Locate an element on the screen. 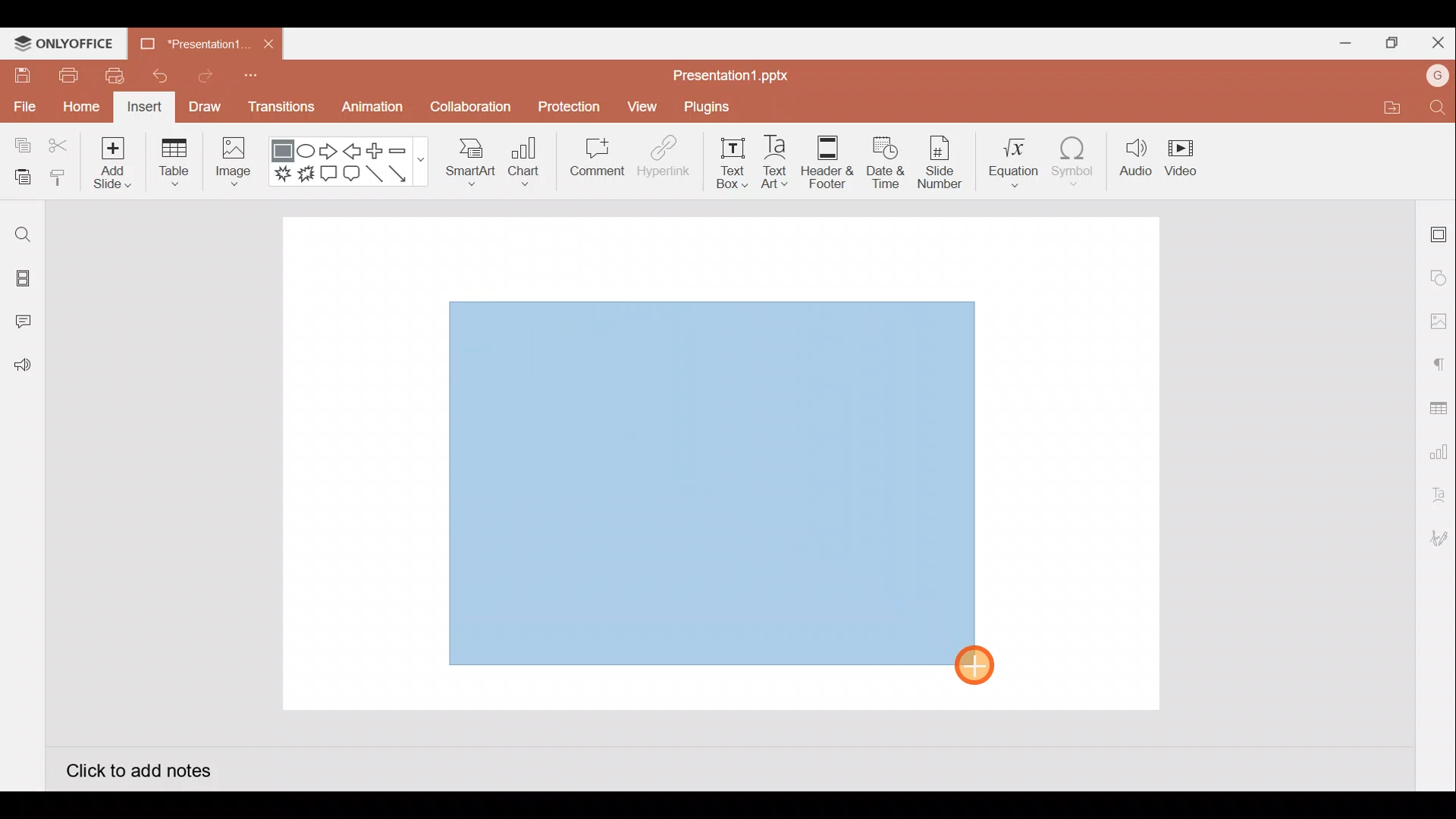  Draw is located at coordinates (204, 106).